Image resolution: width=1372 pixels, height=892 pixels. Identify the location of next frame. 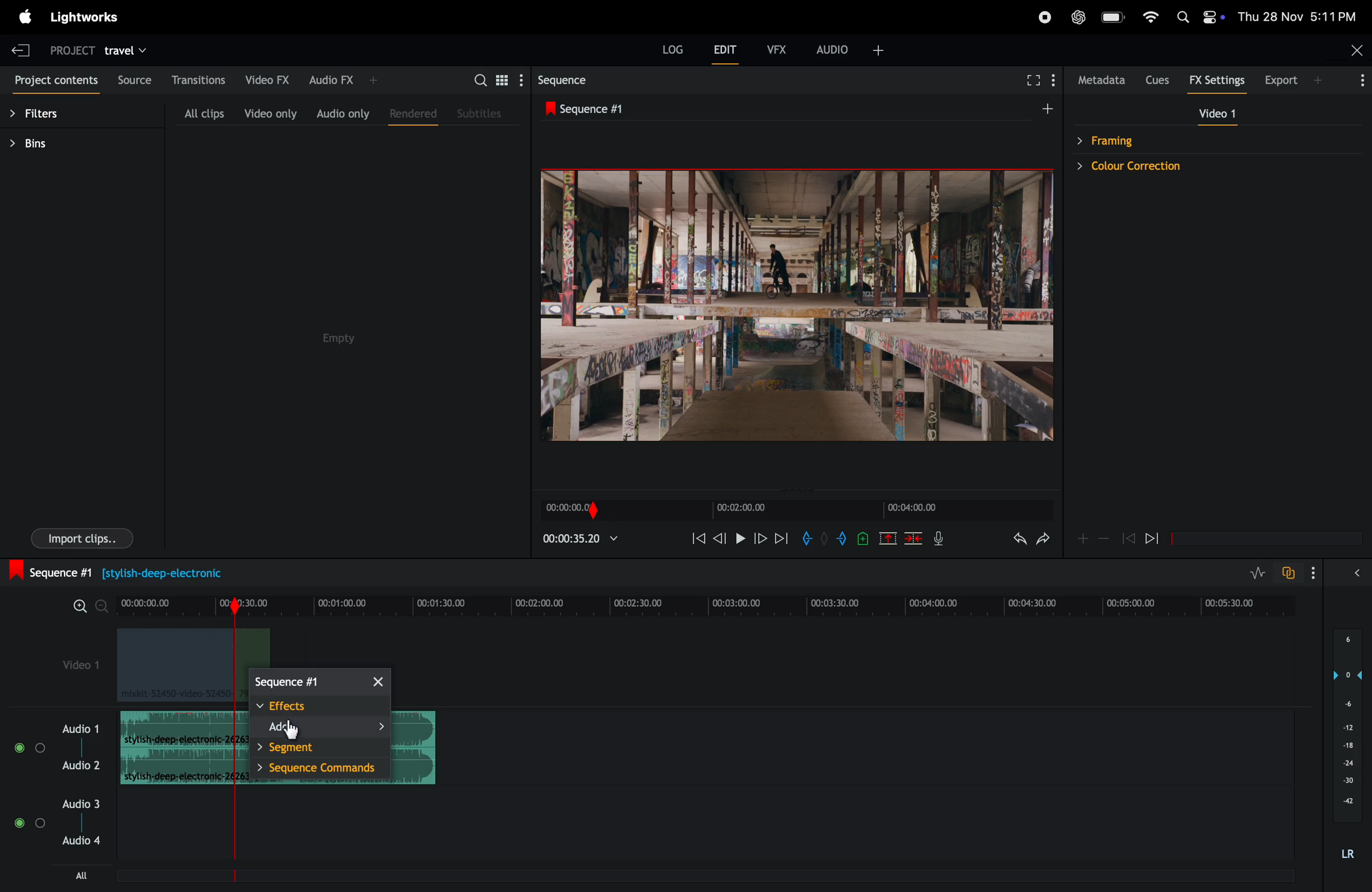
(761, 539).